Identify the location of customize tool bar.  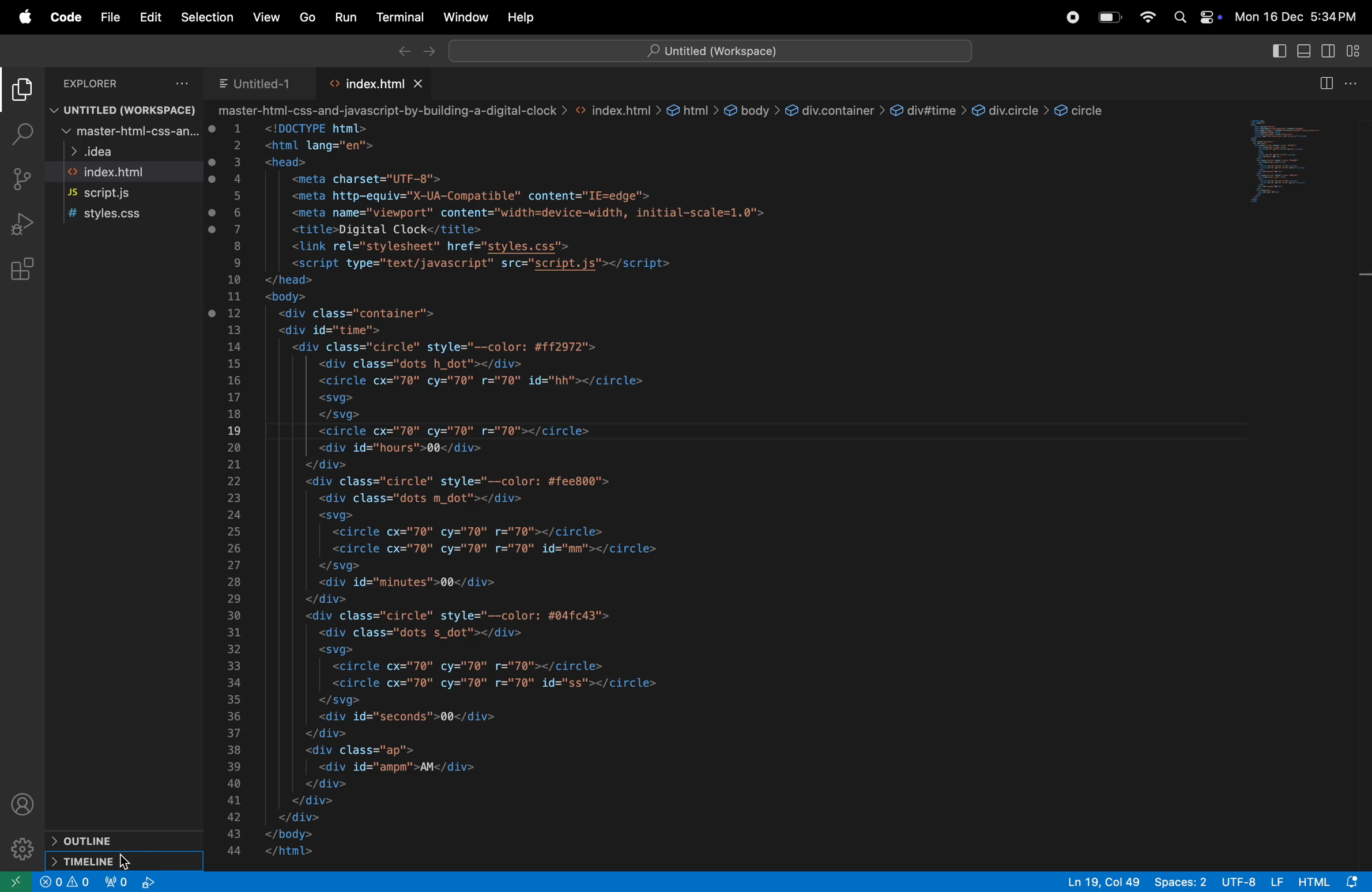
(1354, 52).